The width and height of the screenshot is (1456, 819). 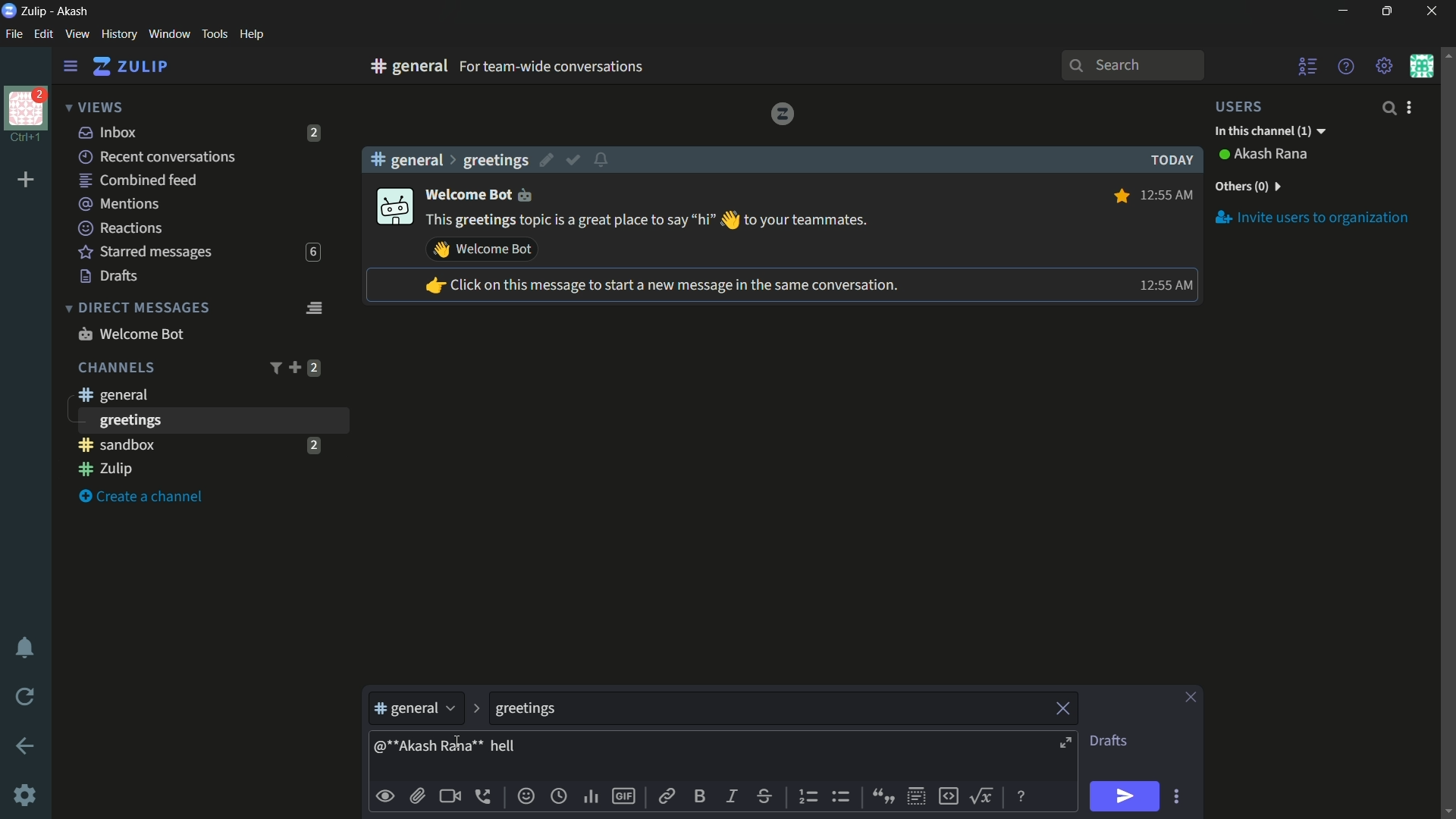 I want to click on add emoji, so click(x=526, y=796).